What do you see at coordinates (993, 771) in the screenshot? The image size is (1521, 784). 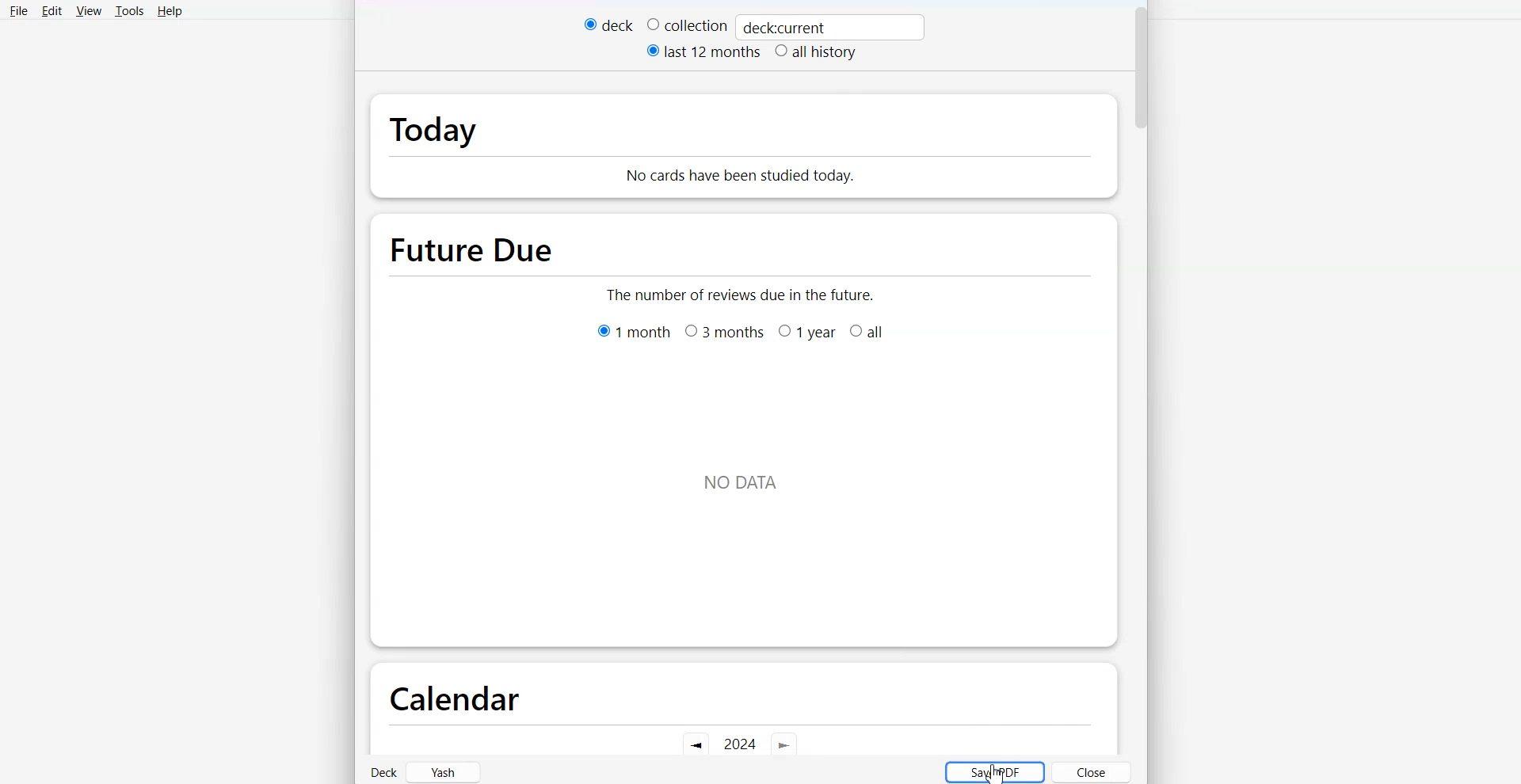 I see `Save PDF` at bounding box center [993, 771].